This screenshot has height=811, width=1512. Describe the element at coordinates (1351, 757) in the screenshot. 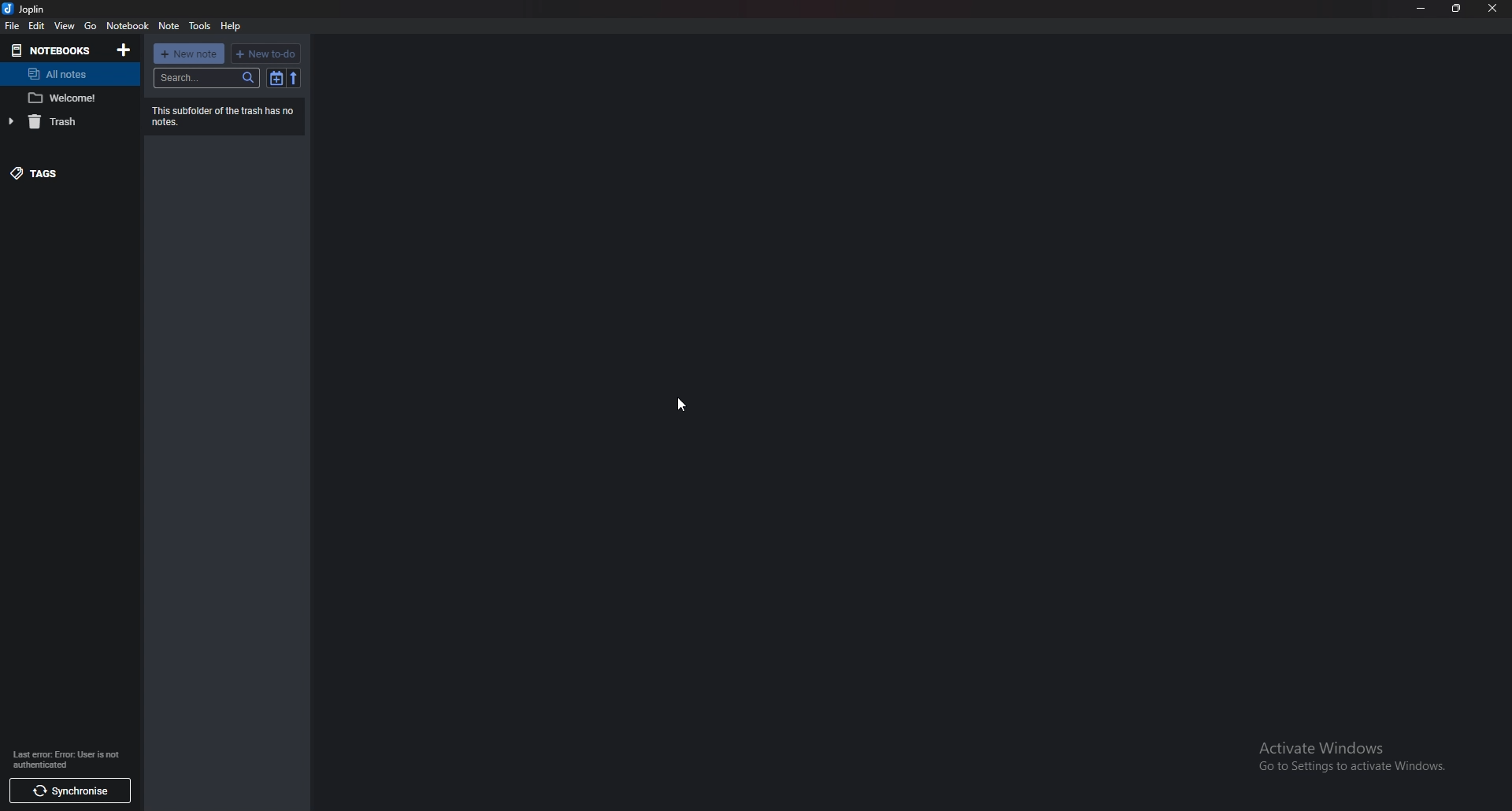

I see `activate windows pop up` at that location.